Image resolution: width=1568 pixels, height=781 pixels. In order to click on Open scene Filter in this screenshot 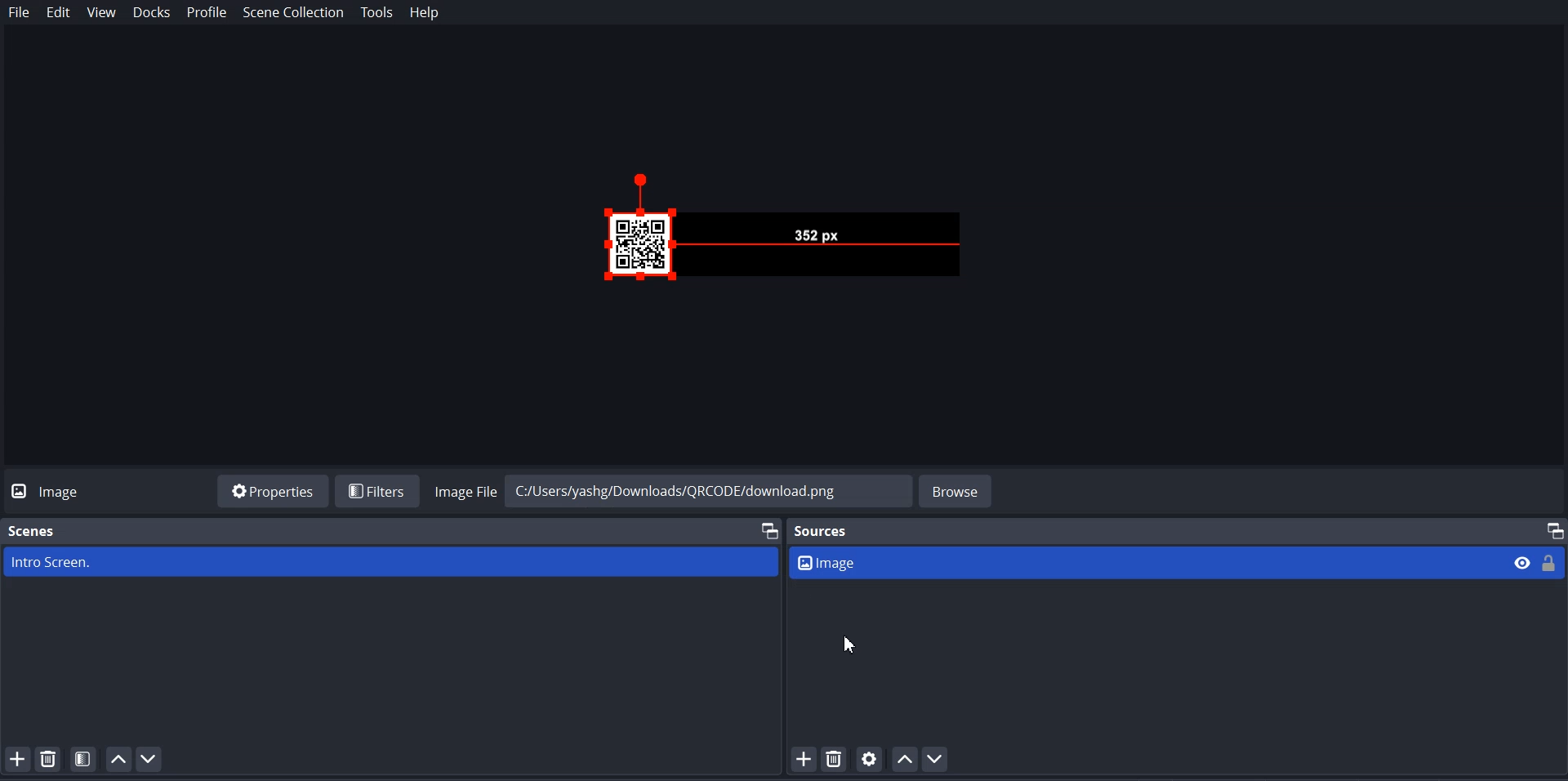, I will do `click(84, 759)`.